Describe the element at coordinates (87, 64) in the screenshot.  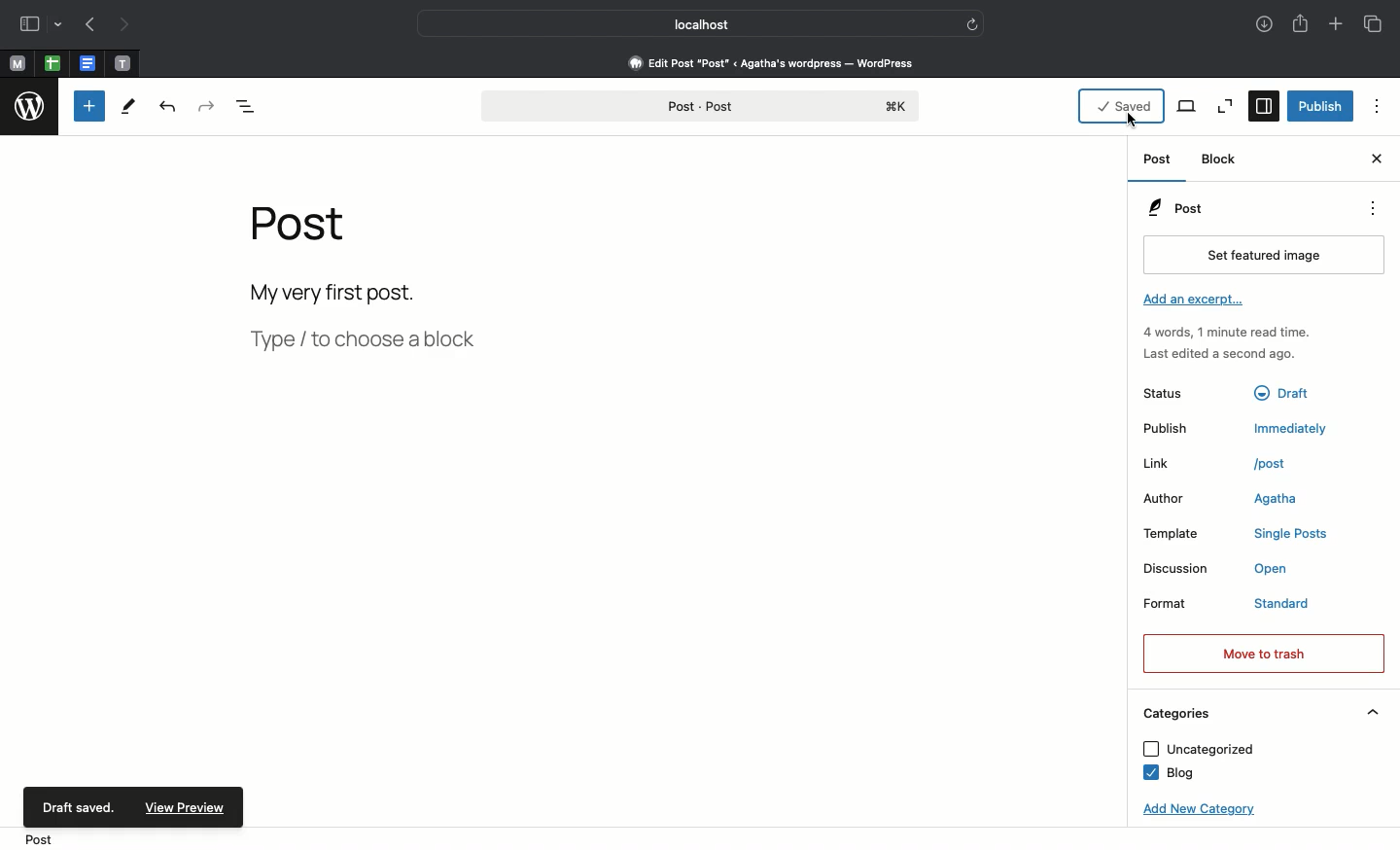
I see `Document` at that location.